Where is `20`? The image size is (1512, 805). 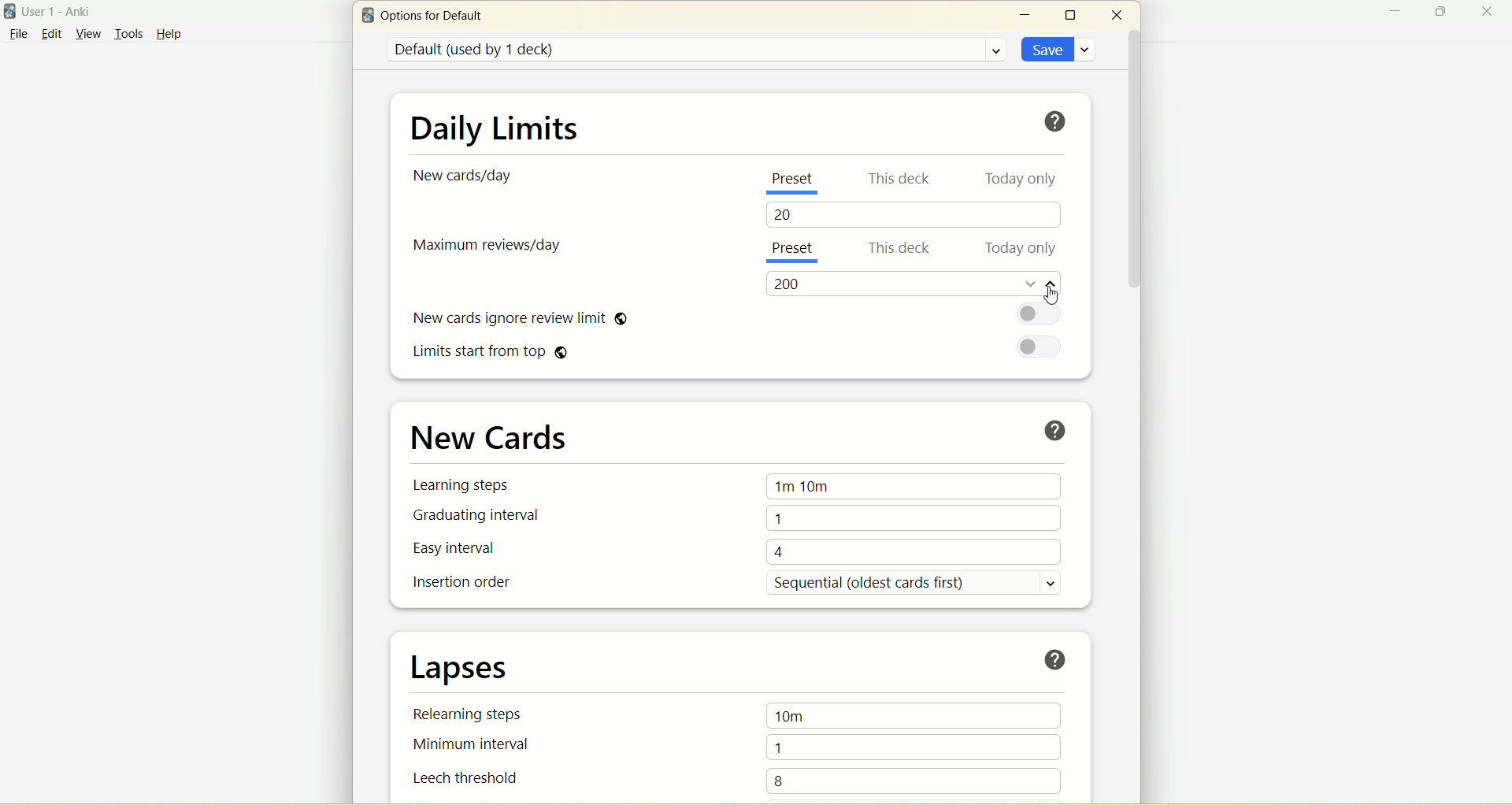 20 is located at coordinates (786, 217).